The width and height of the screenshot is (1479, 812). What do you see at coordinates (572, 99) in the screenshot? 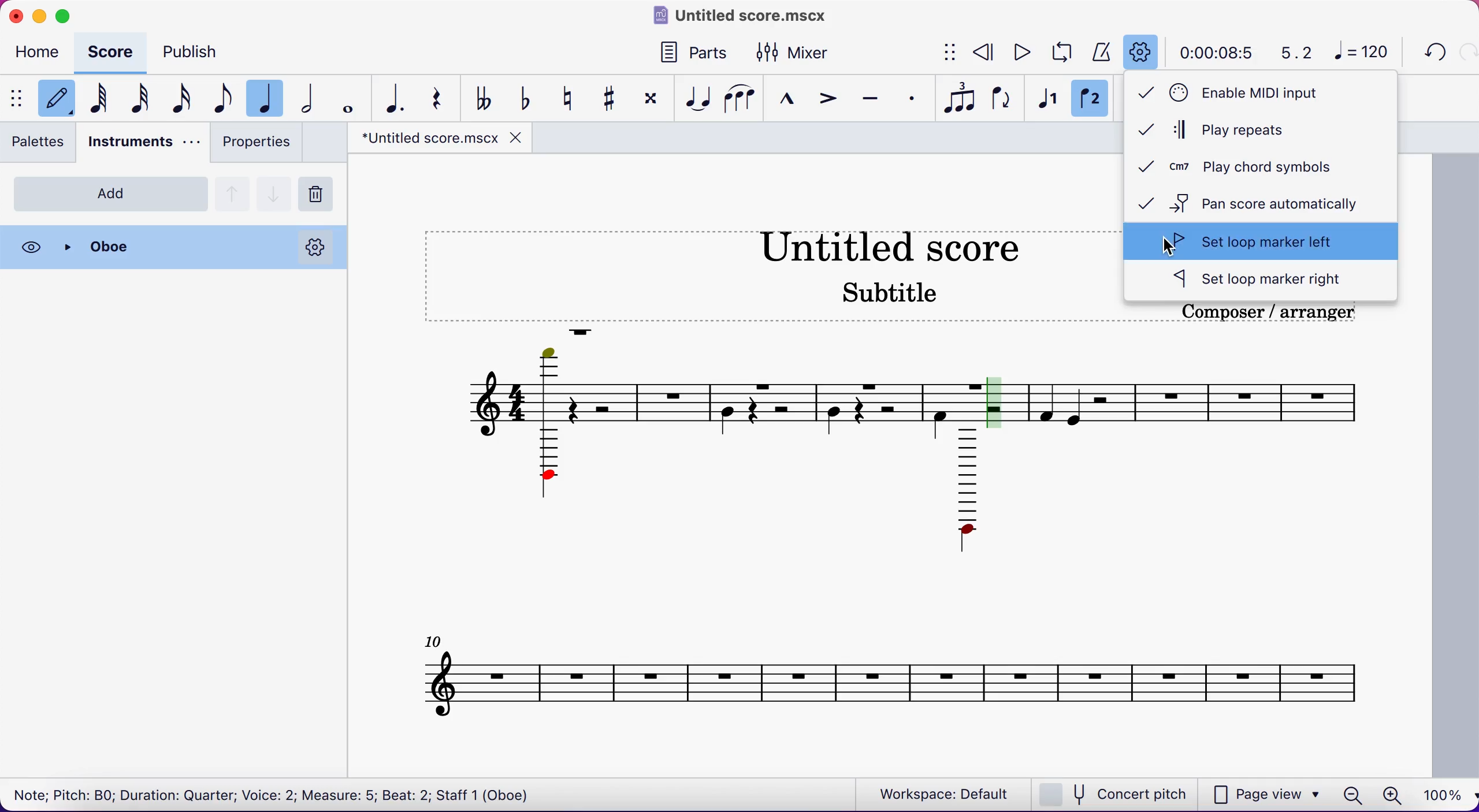
I see `toggle natural` at bounding box center [572, 99].